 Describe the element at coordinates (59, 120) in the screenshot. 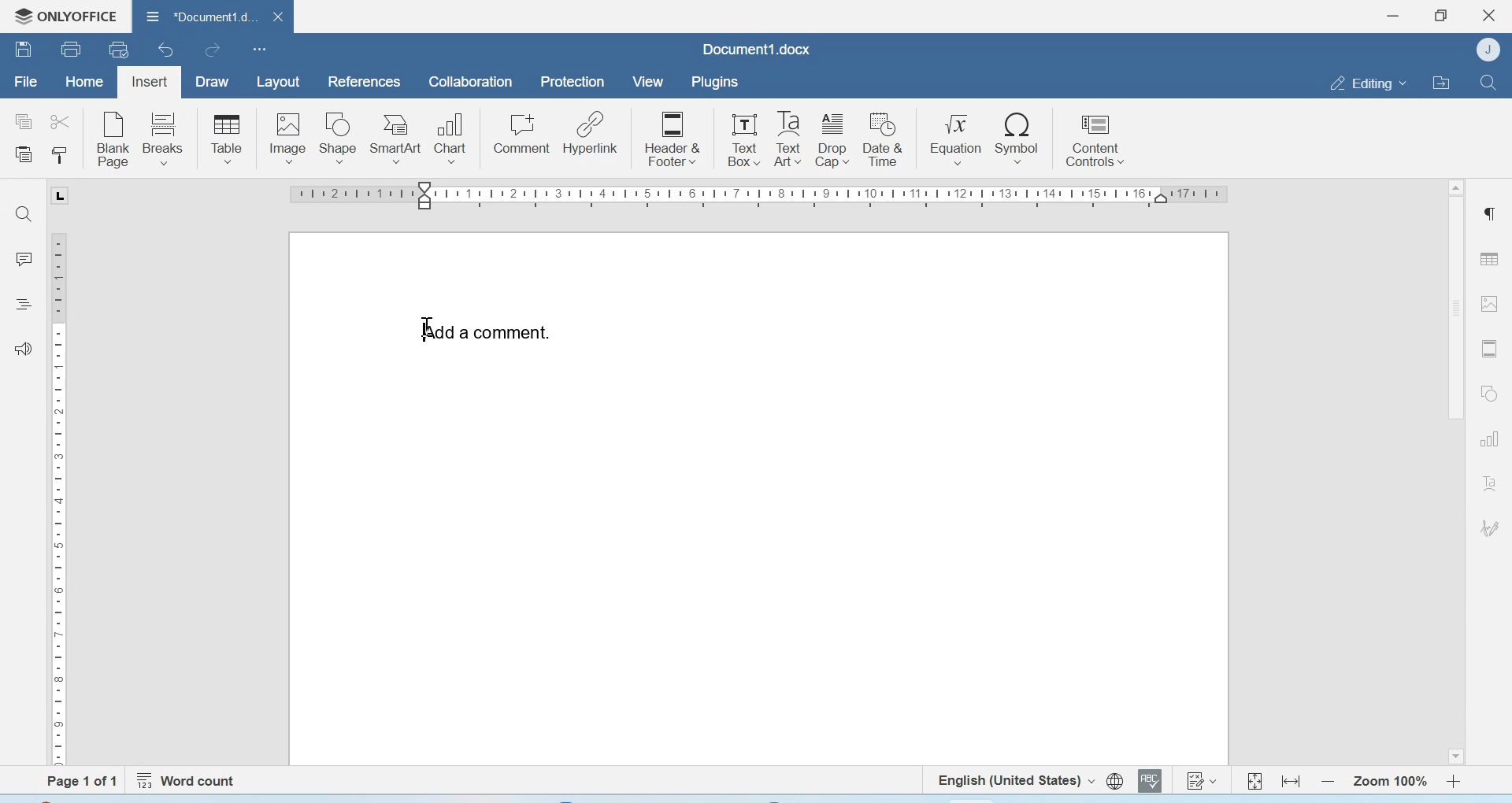

I see `Cut` at that location.